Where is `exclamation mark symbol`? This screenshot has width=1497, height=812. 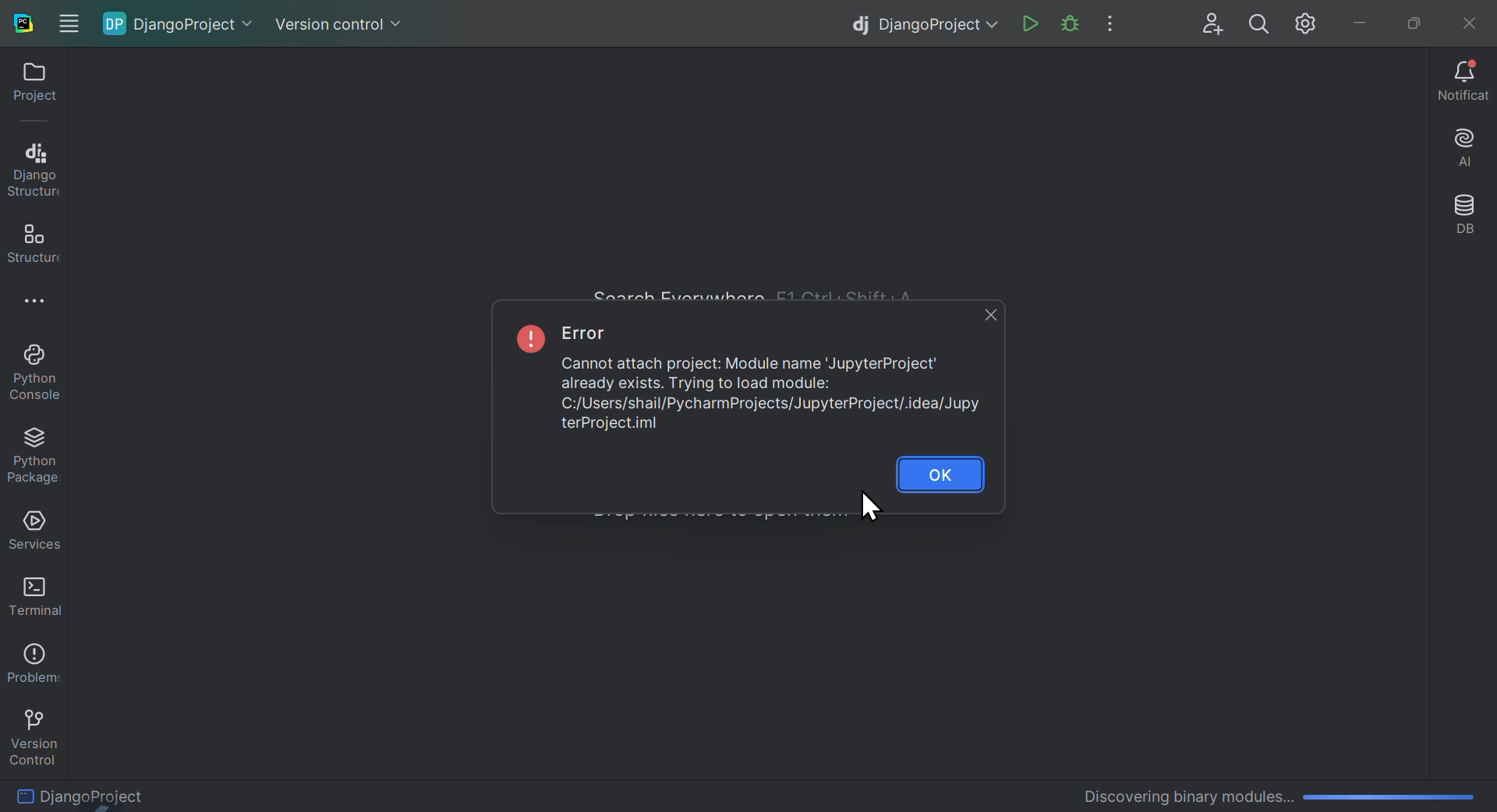
exclamation mark symbol is located at coordinates (527, 337).